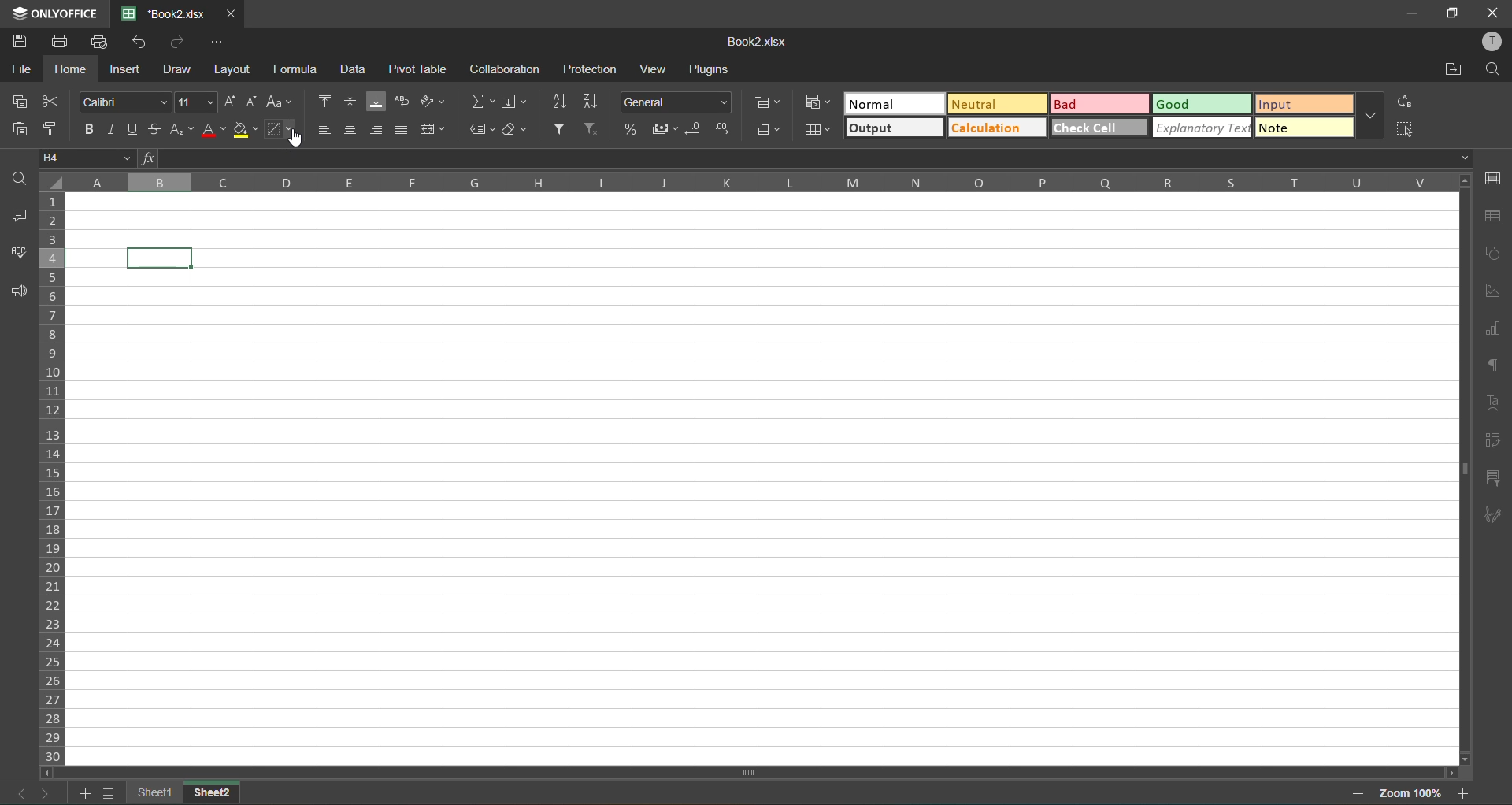 This screenshot has height=805, width=1512. Describe the element at coordinates (770, 102) in the screenshot. I see `insert cells` at that location.